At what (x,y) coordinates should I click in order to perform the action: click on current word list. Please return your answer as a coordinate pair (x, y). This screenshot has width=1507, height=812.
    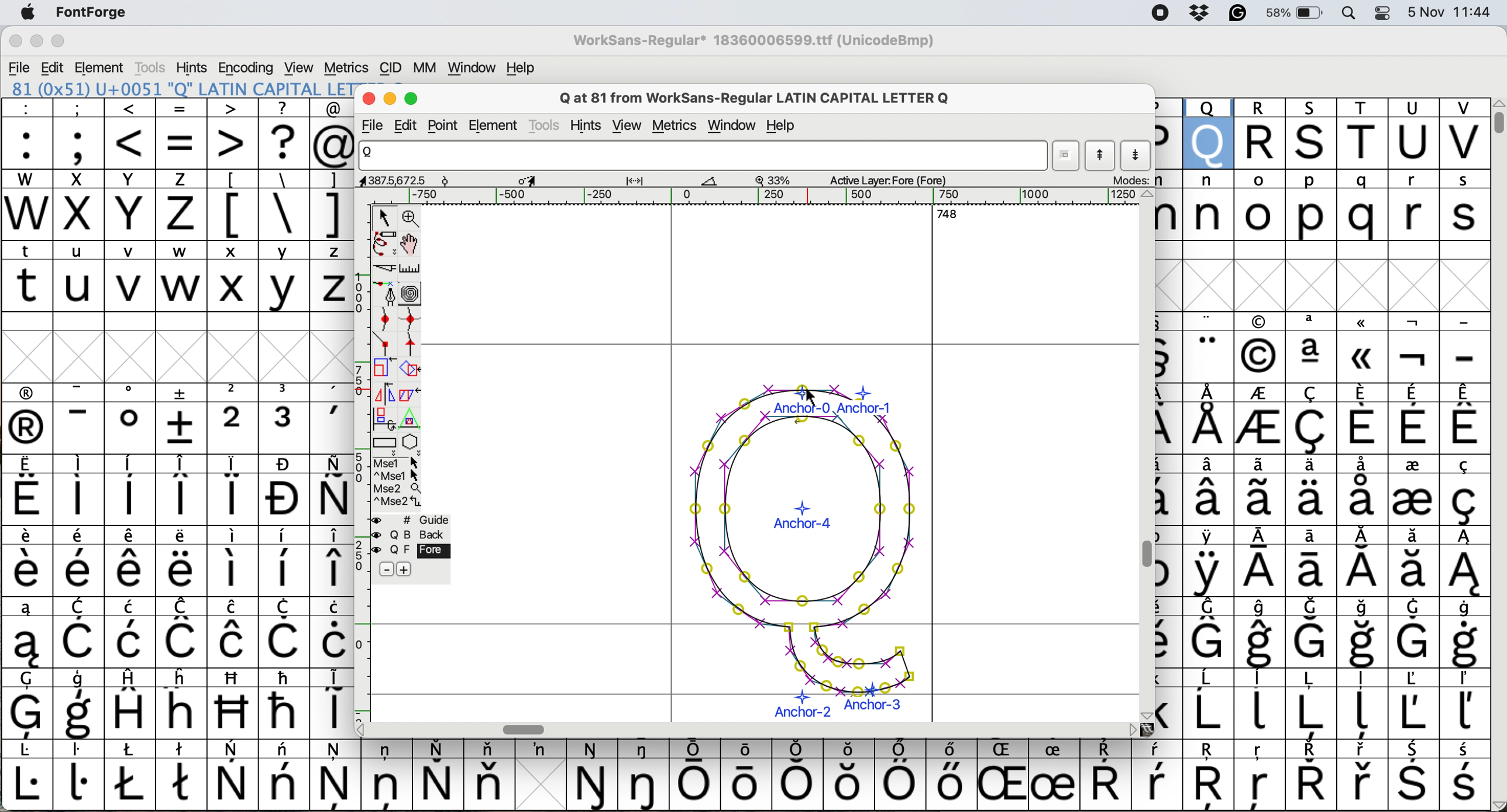
    Looking at the image, I should click on (1066, 156).